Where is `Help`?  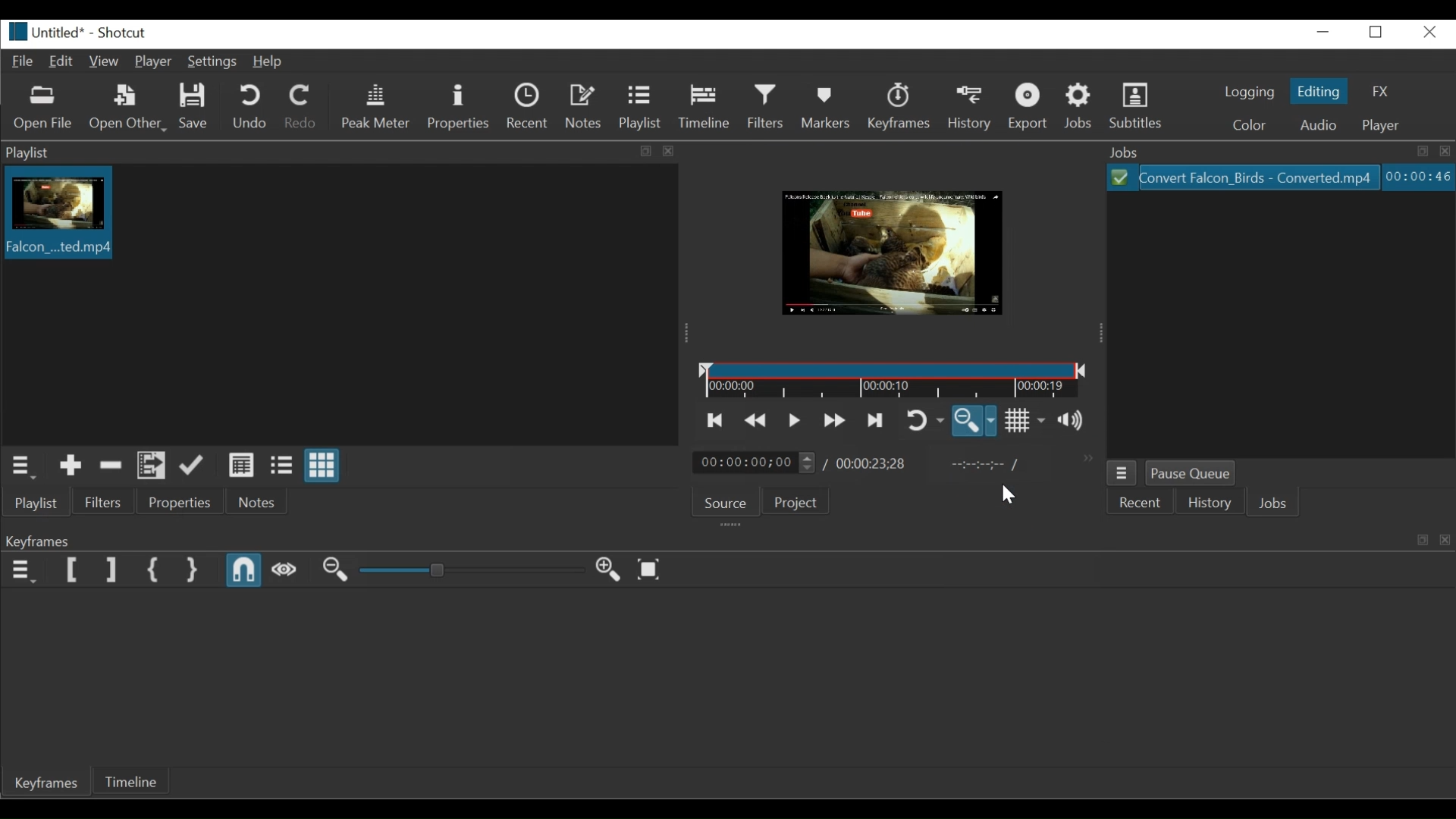 Help is located at coordinates (270, 62).